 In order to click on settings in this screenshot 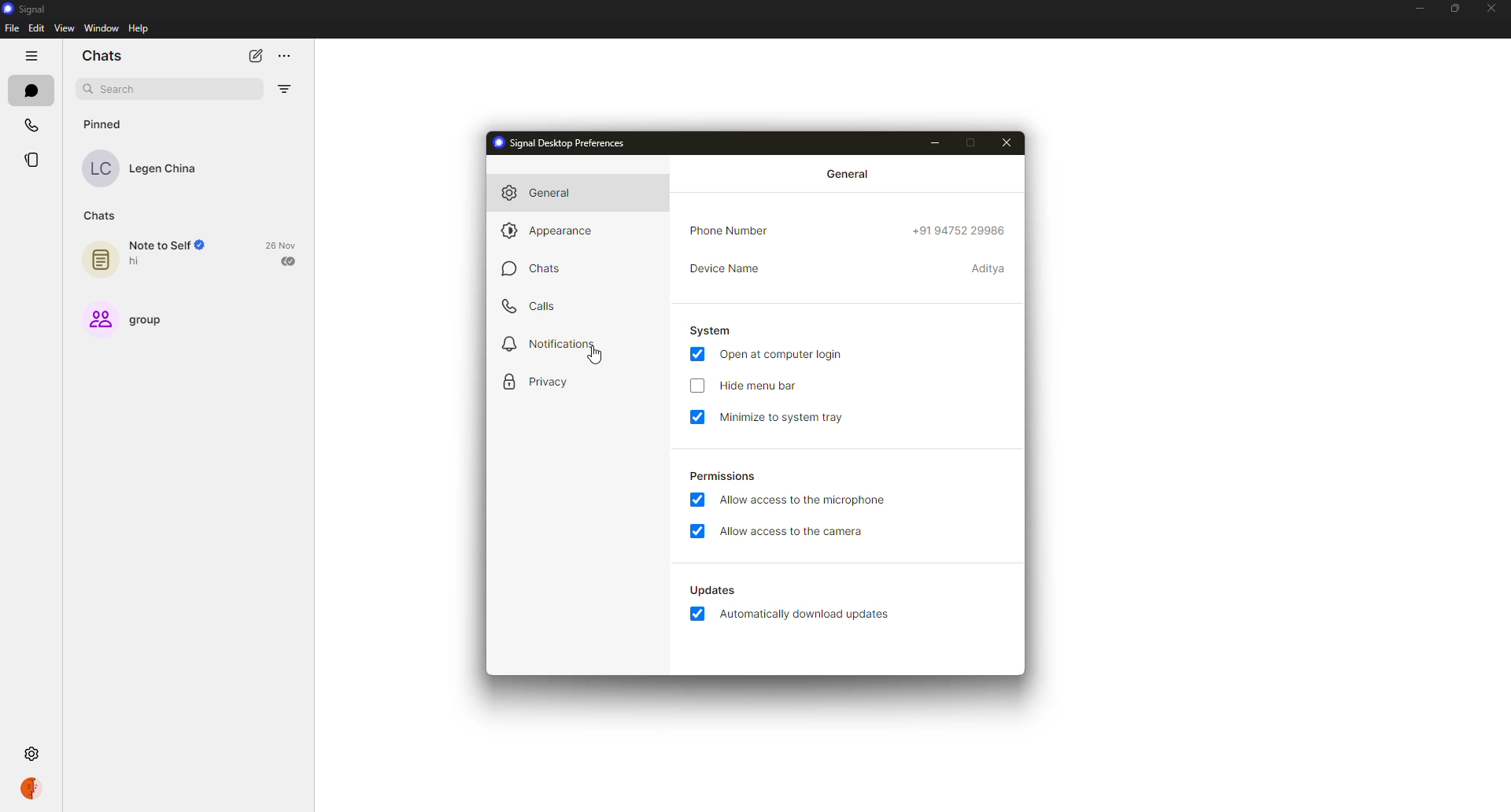, I will do `click(29, 752)`.